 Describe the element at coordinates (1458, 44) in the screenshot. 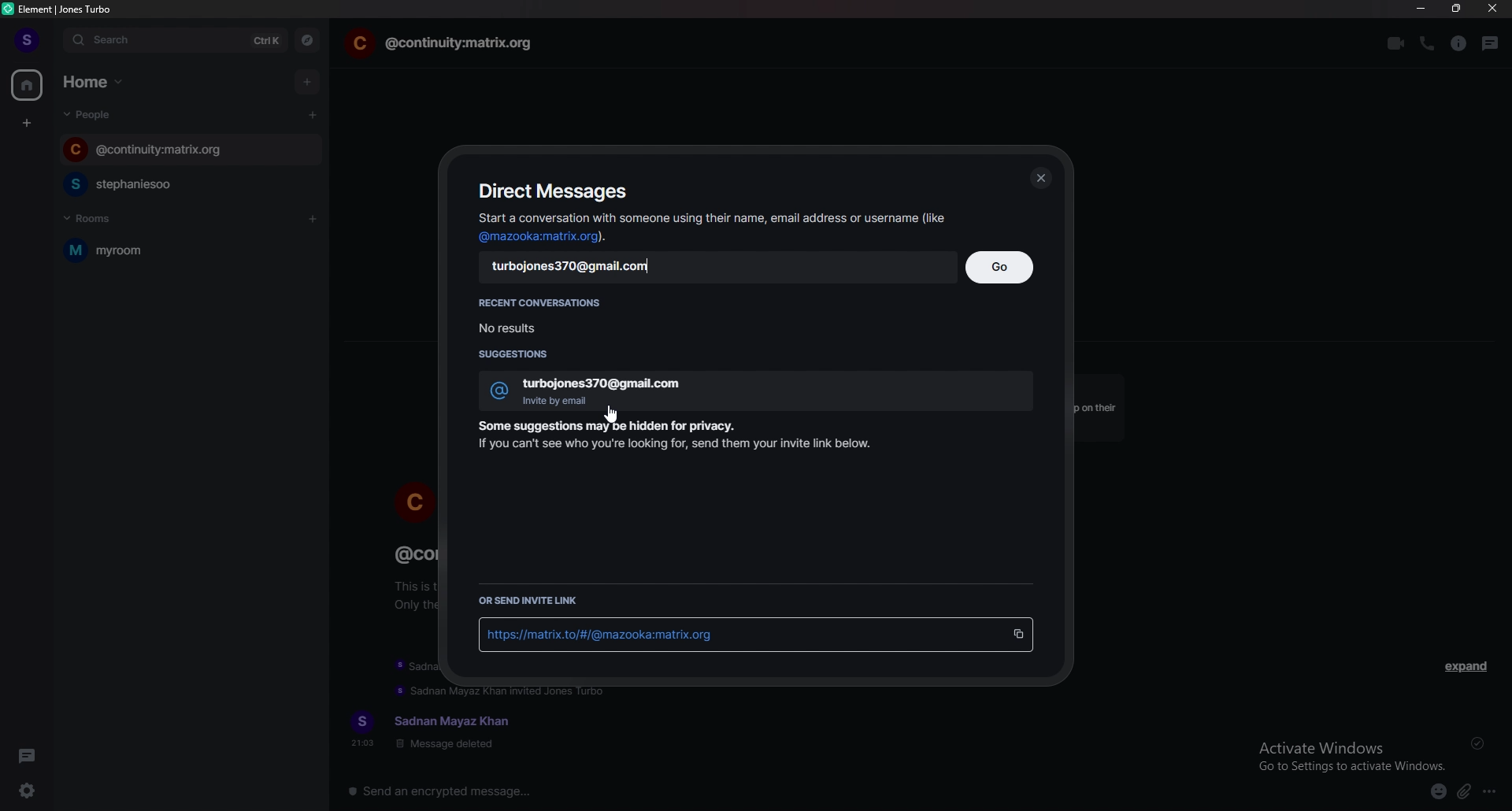

I see `room info` at that location.